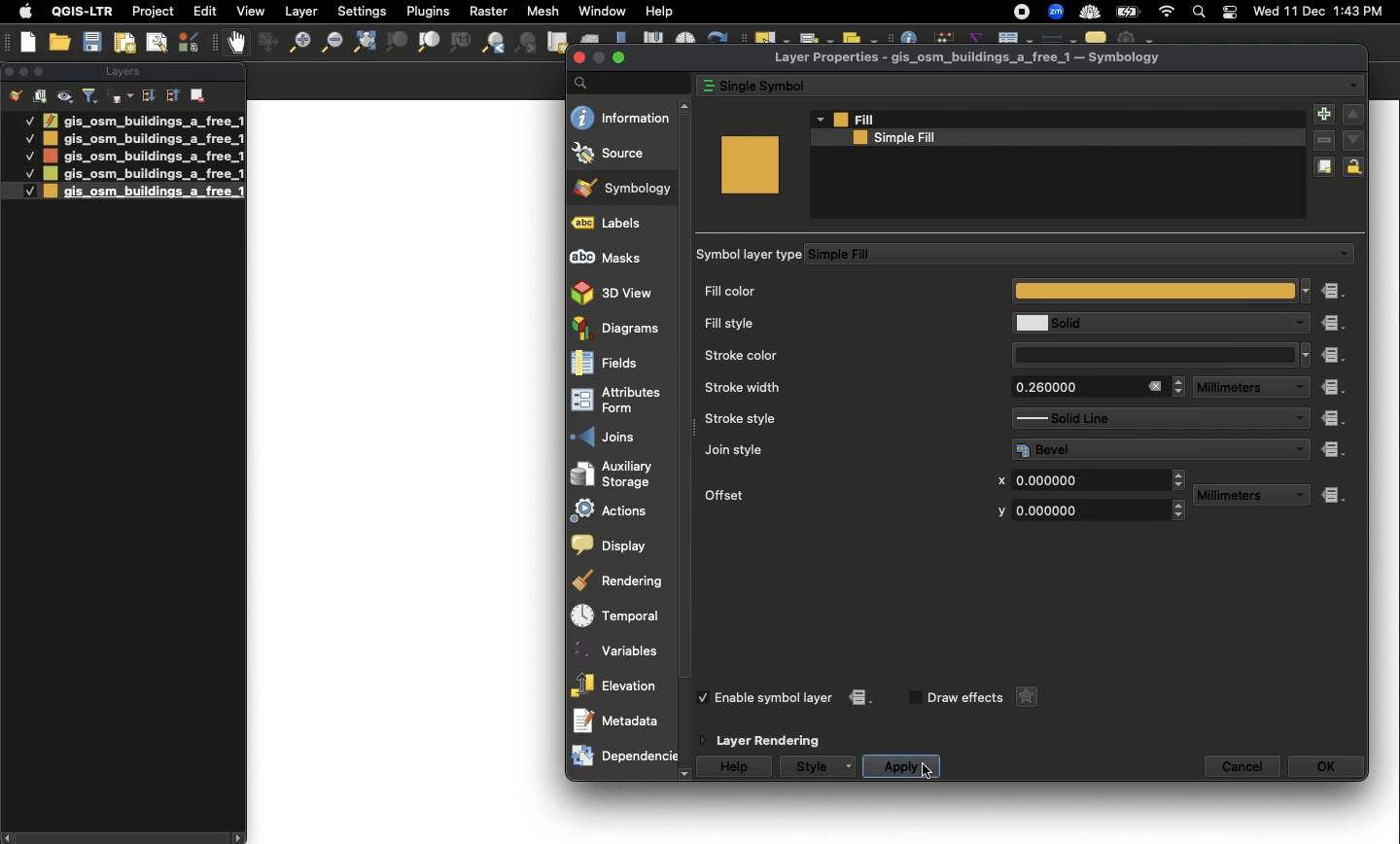 The height and width of the screenshot is (844, 1400). I want to click on Fill style, so click(840, 324).